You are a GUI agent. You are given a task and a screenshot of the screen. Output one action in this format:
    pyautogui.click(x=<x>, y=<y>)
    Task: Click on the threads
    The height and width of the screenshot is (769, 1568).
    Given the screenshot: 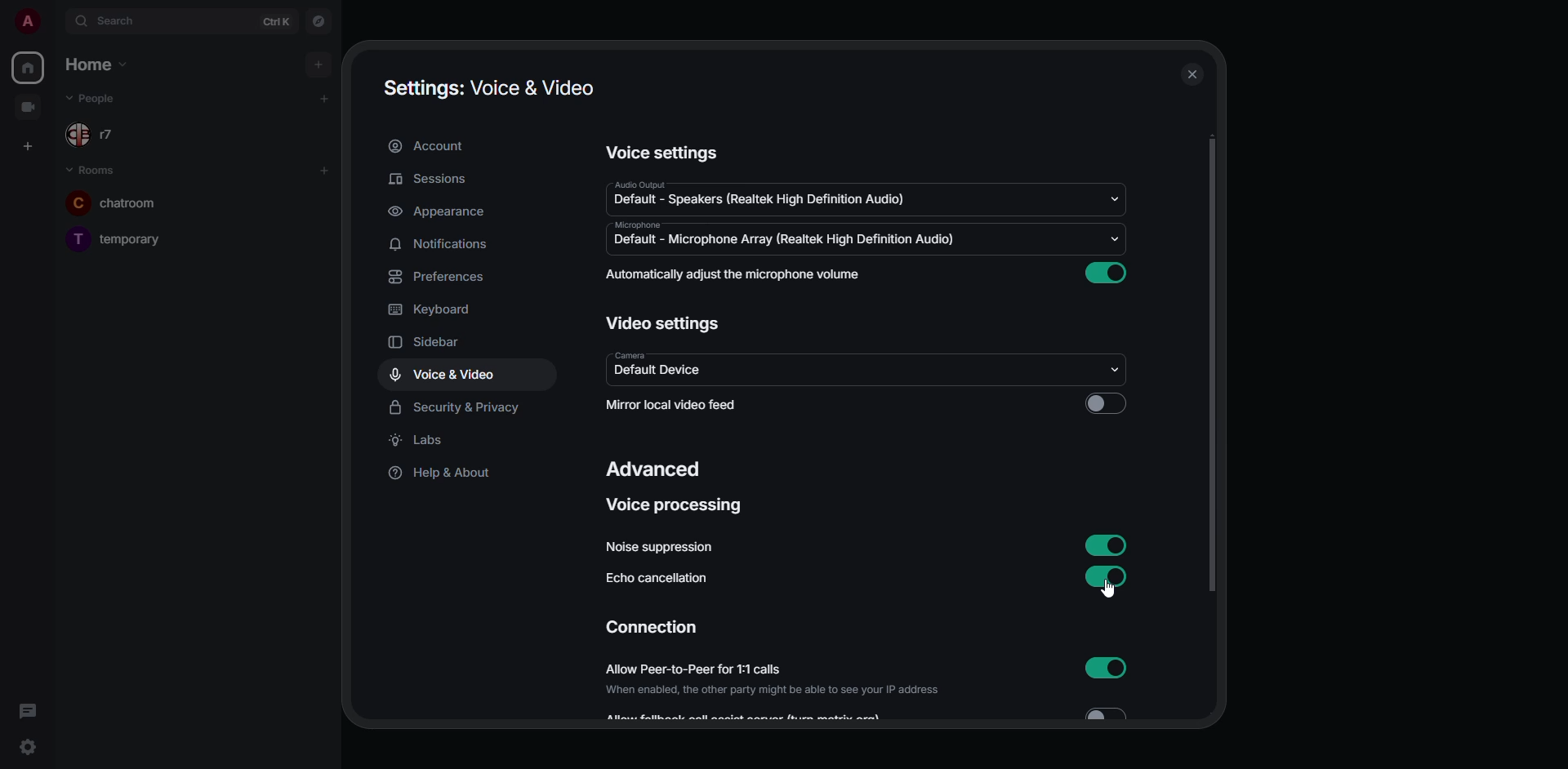 What is the action you would take?
    pyautogui.click(x=24, y=712)
    